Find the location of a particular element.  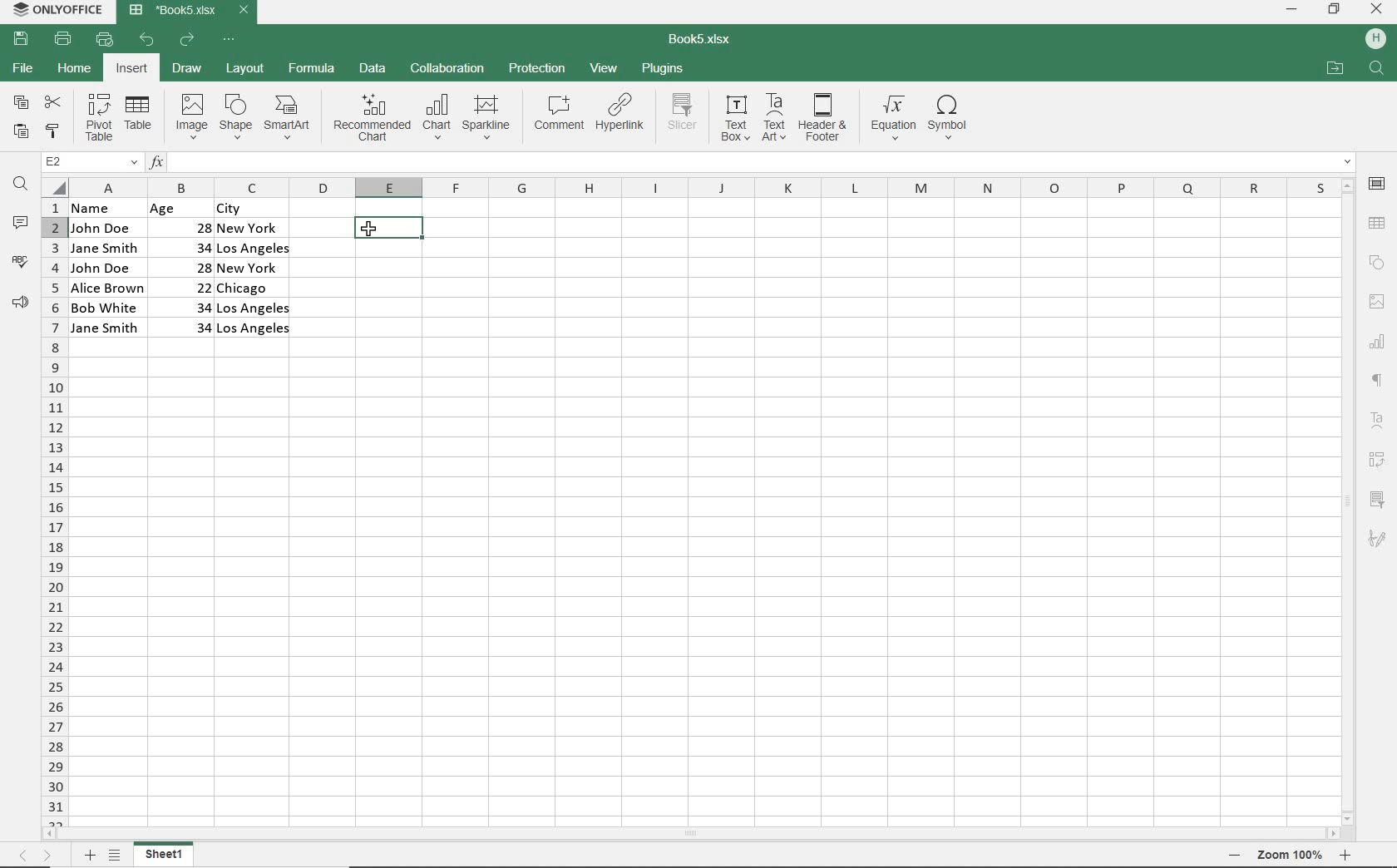

HEADER & FOOTER is located at coordinates (823, 118).